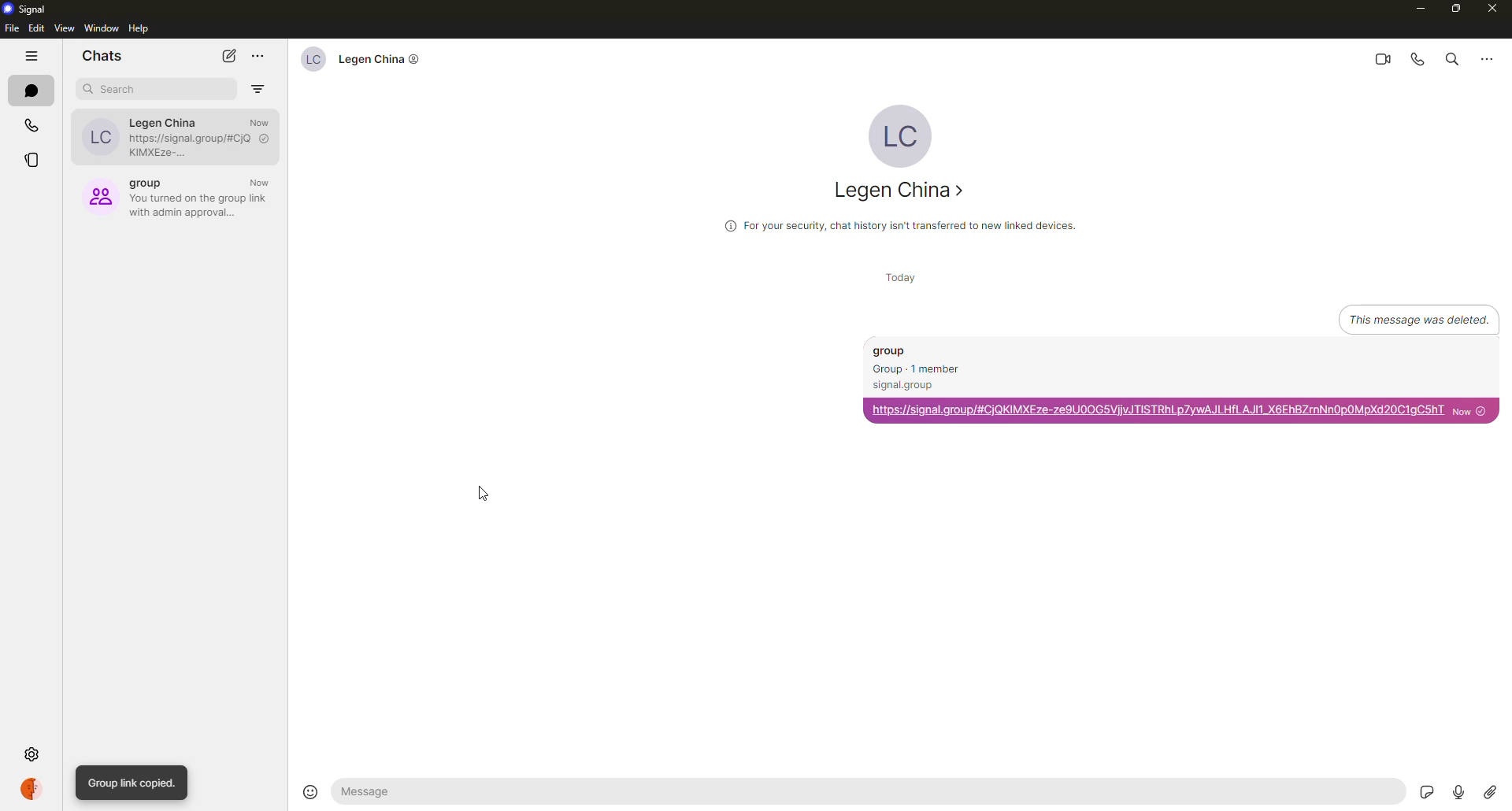 The width and height of the screenshot is (1512, 811). I want to click on message, so click(490, 794).